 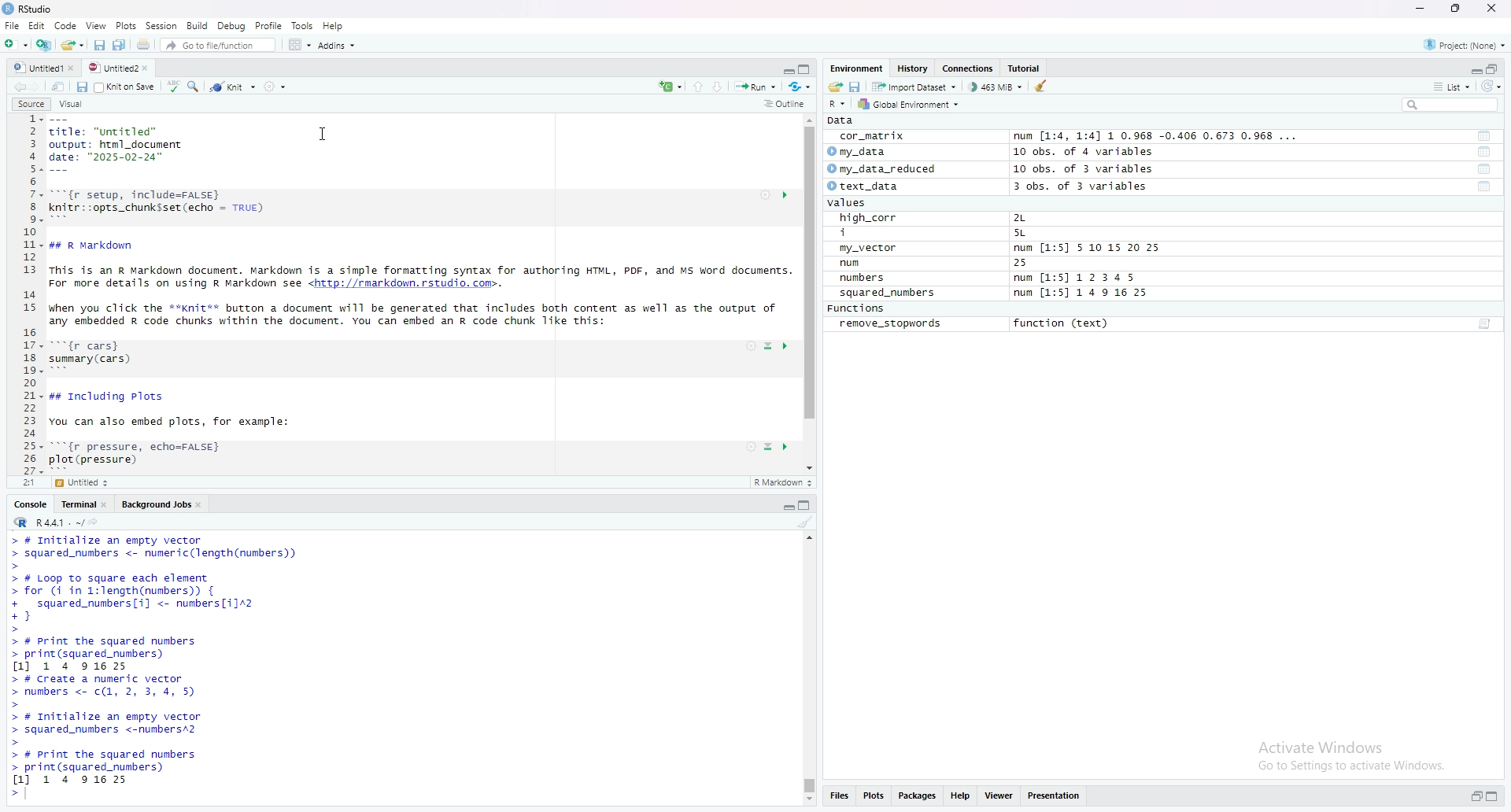 I want to click on Scrollbar up, so click(x=811, y=118).